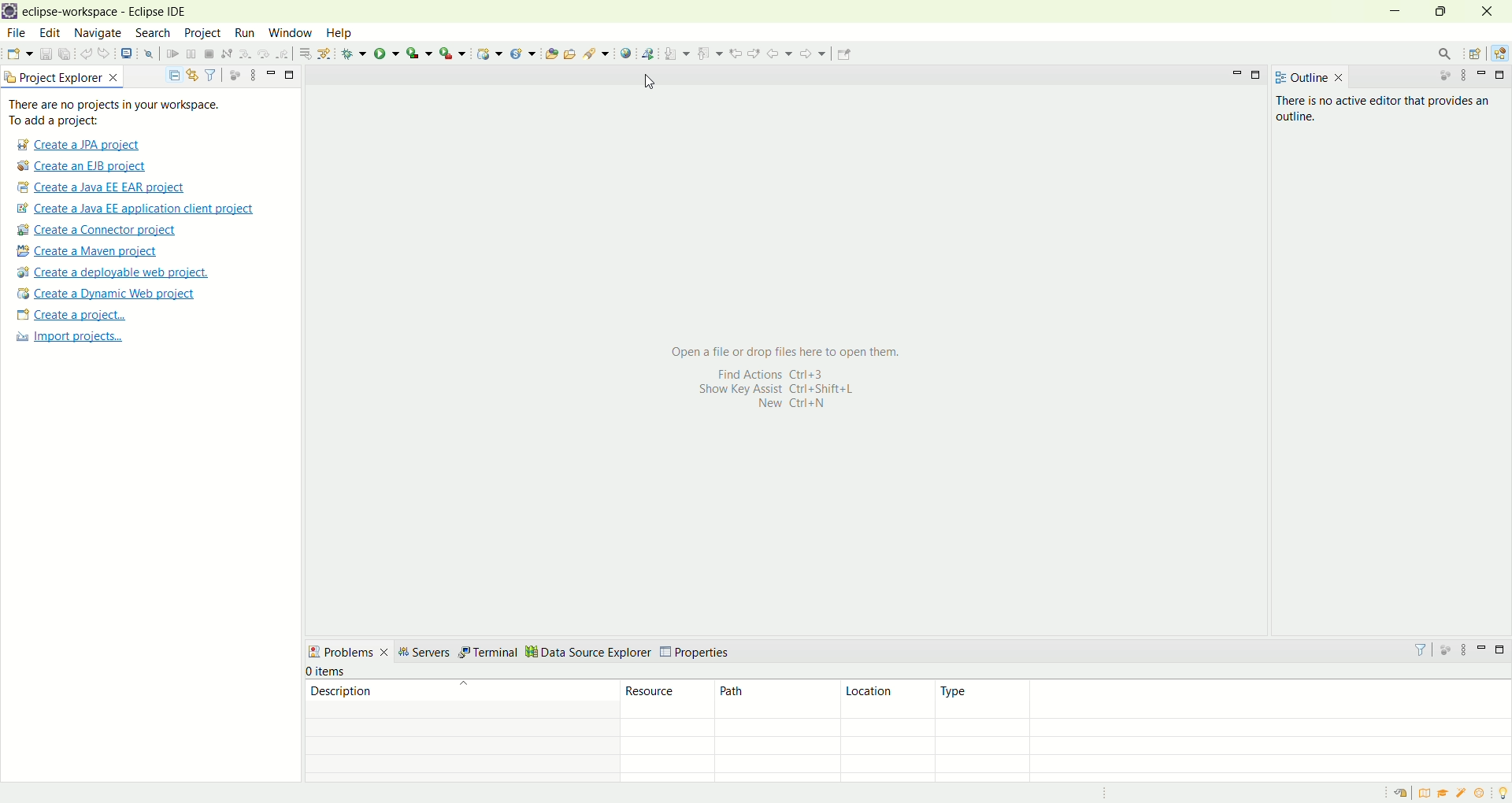 Image resolution: width=1512 pixels, height=803 pixels. I want to click on focus on active task, so click(1437, 76).